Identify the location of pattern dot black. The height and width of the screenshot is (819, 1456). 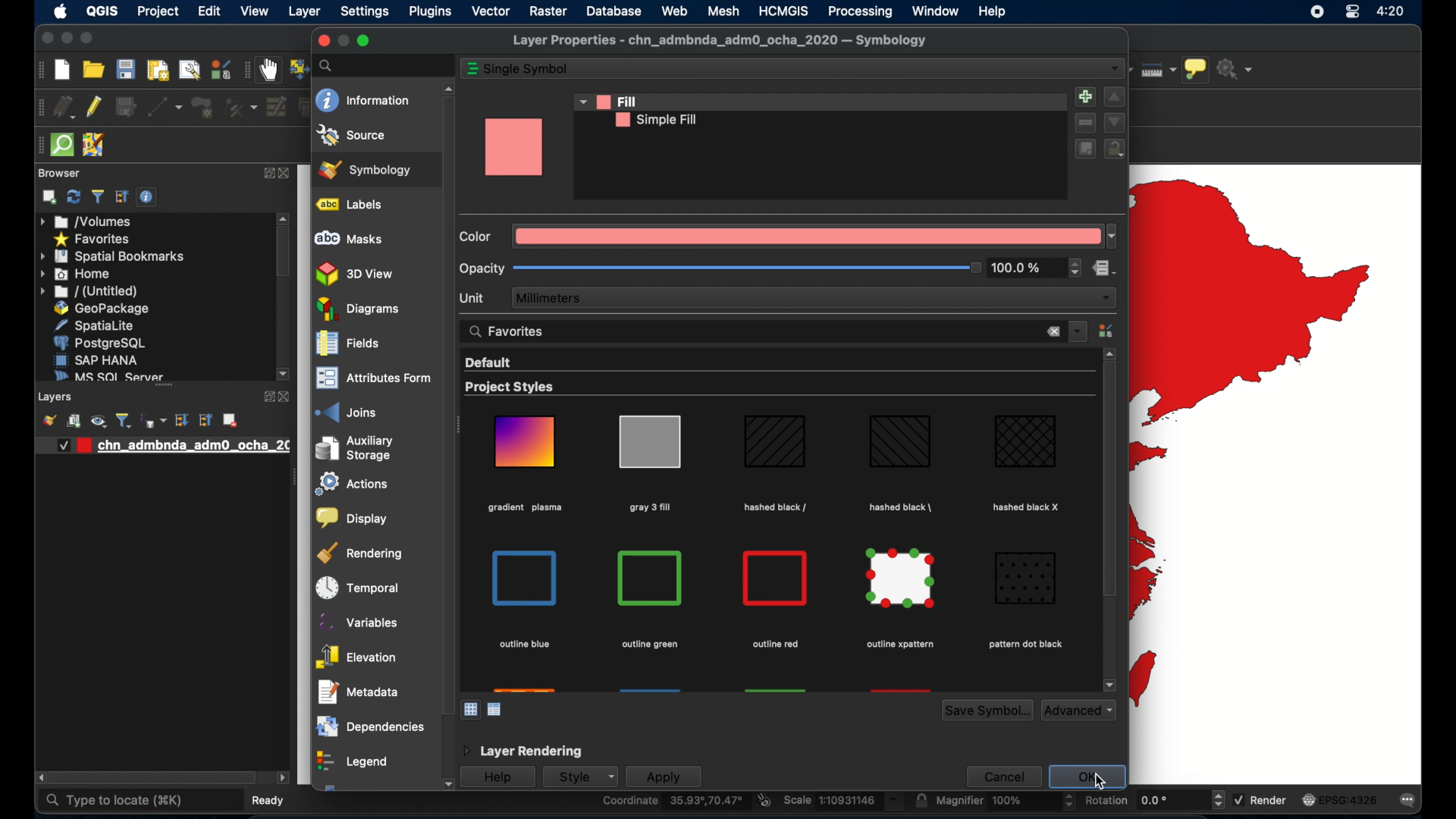
(1025, 645).